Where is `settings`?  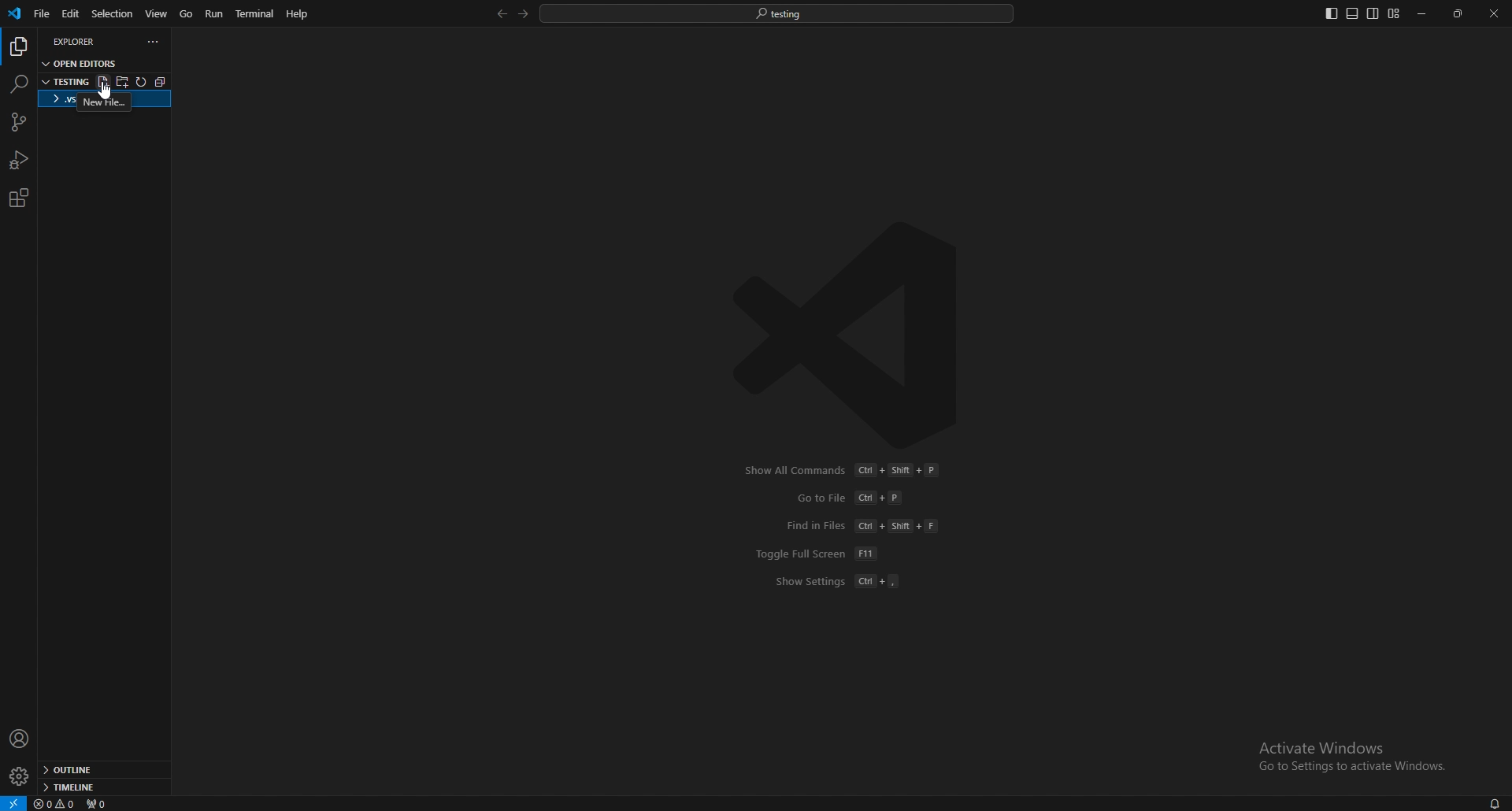
settings is located at coordinates (18, 777).